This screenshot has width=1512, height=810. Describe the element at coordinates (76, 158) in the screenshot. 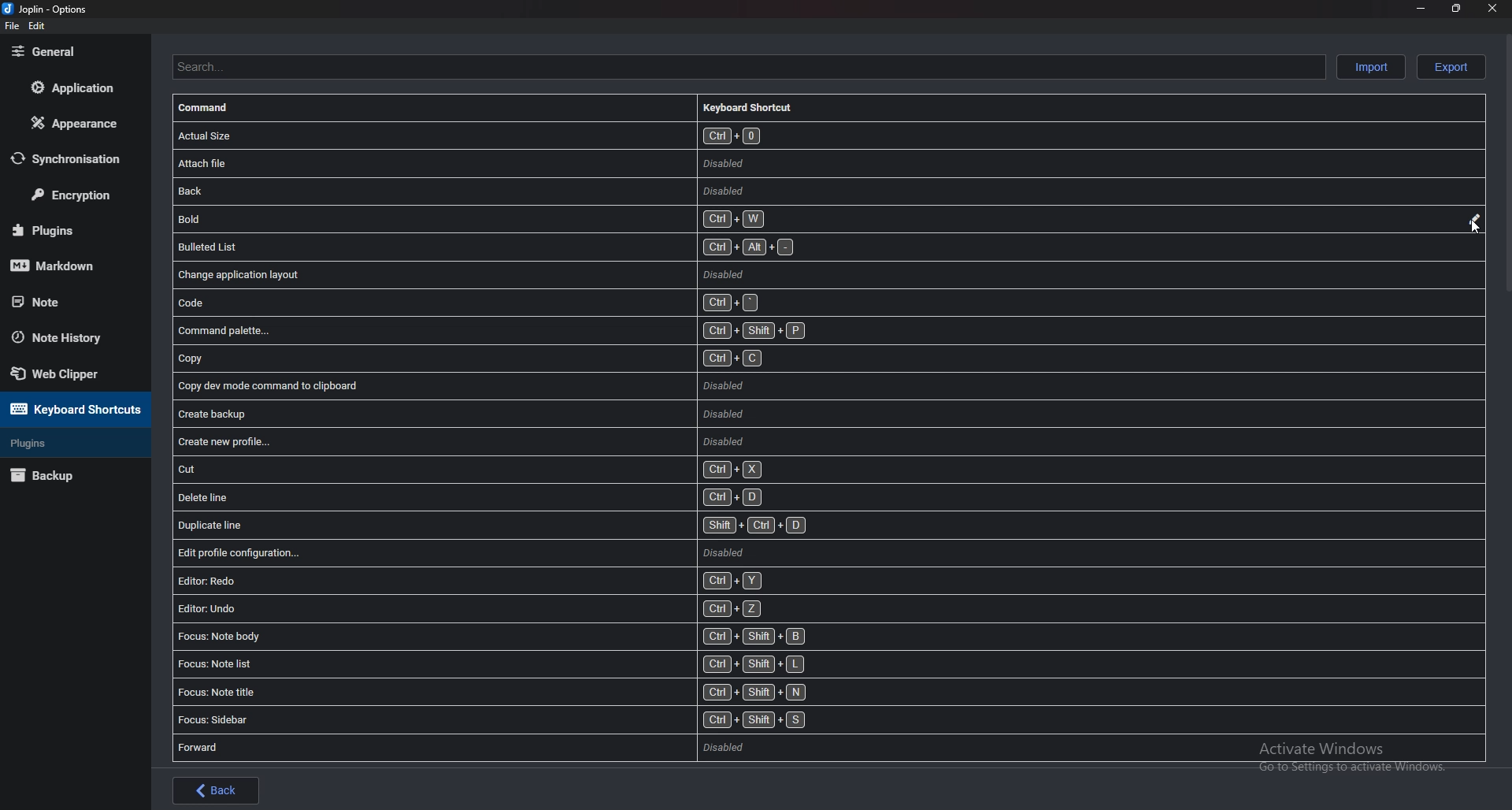

I see `Synchronization` at that location.